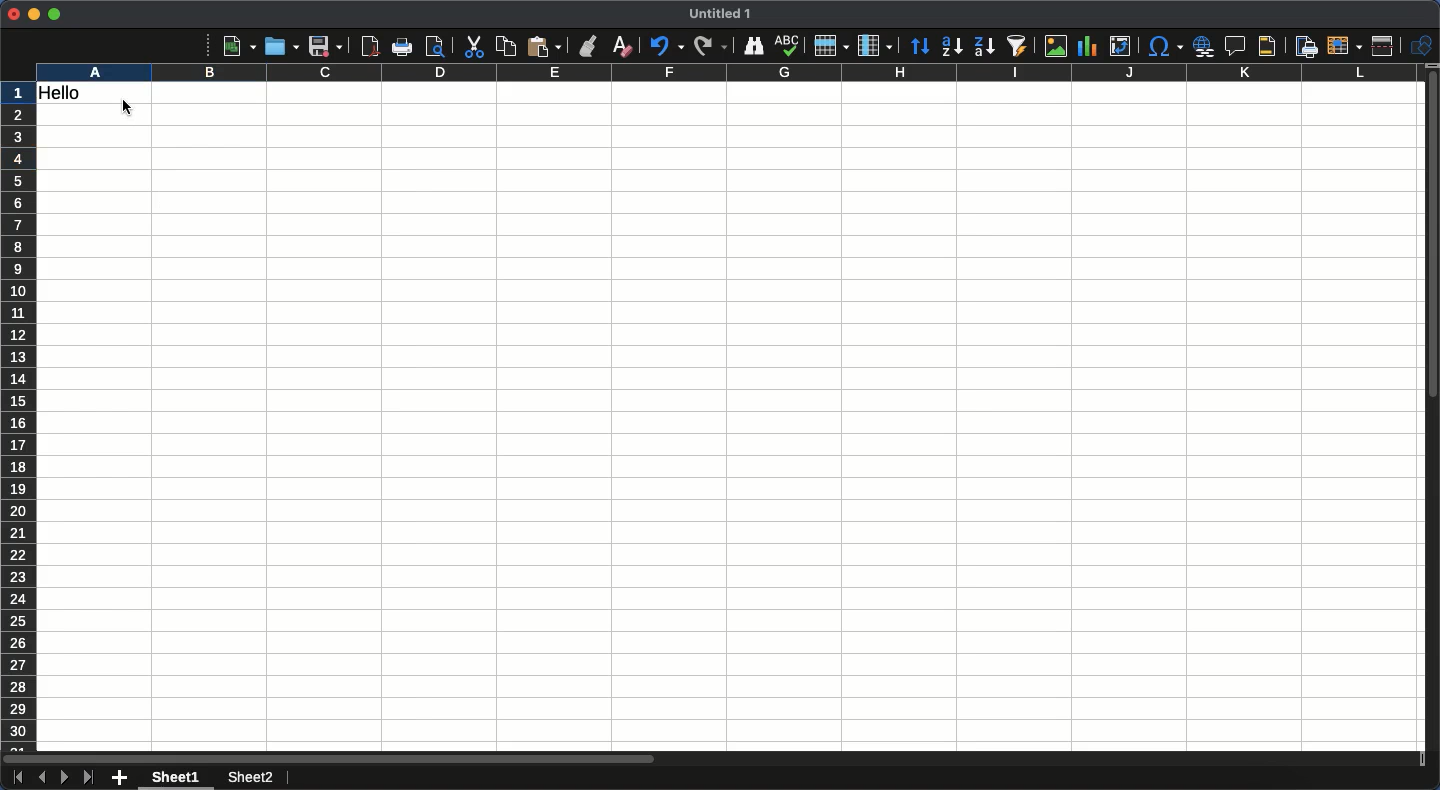 The width and height of the screenshot is (1440, 790). What do you see at coordinates (665, 45) in the screenshot?
I see `Undo` at bounding box center [665, 45].